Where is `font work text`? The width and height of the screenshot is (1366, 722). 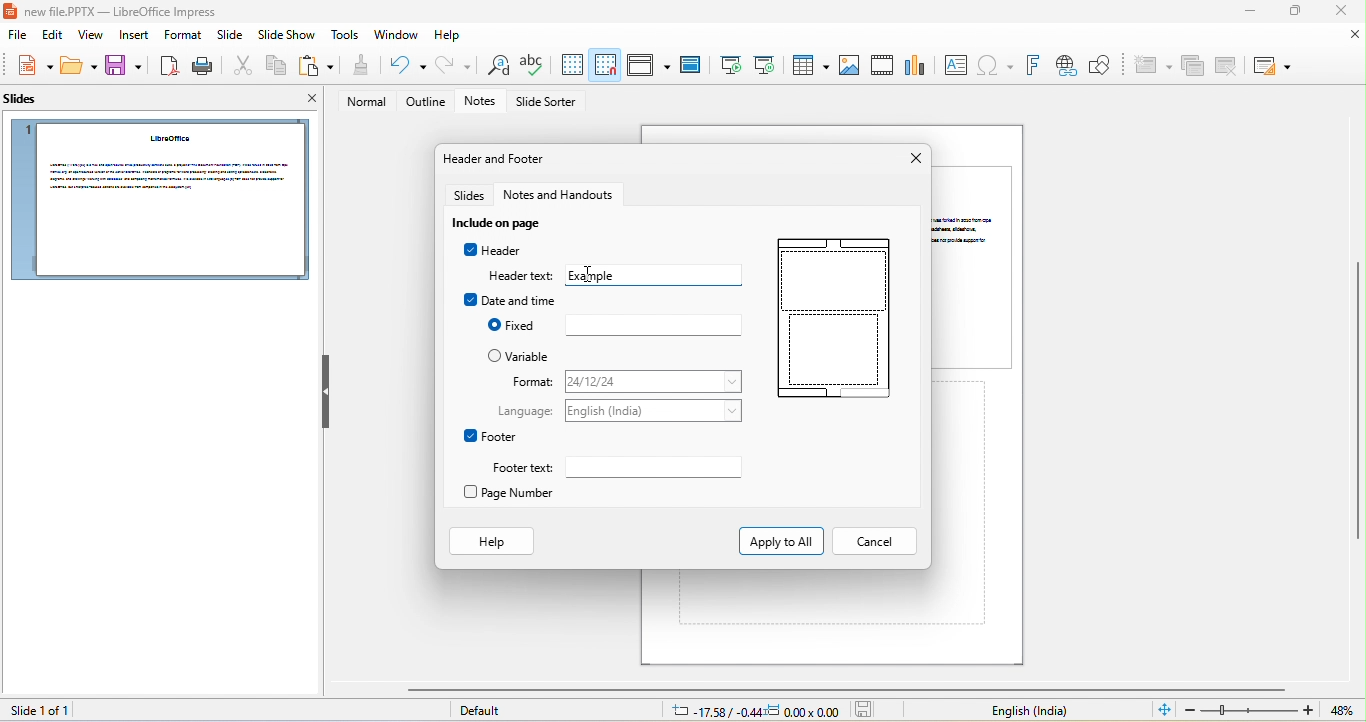 font work text is located at coordinates (1032, 66).